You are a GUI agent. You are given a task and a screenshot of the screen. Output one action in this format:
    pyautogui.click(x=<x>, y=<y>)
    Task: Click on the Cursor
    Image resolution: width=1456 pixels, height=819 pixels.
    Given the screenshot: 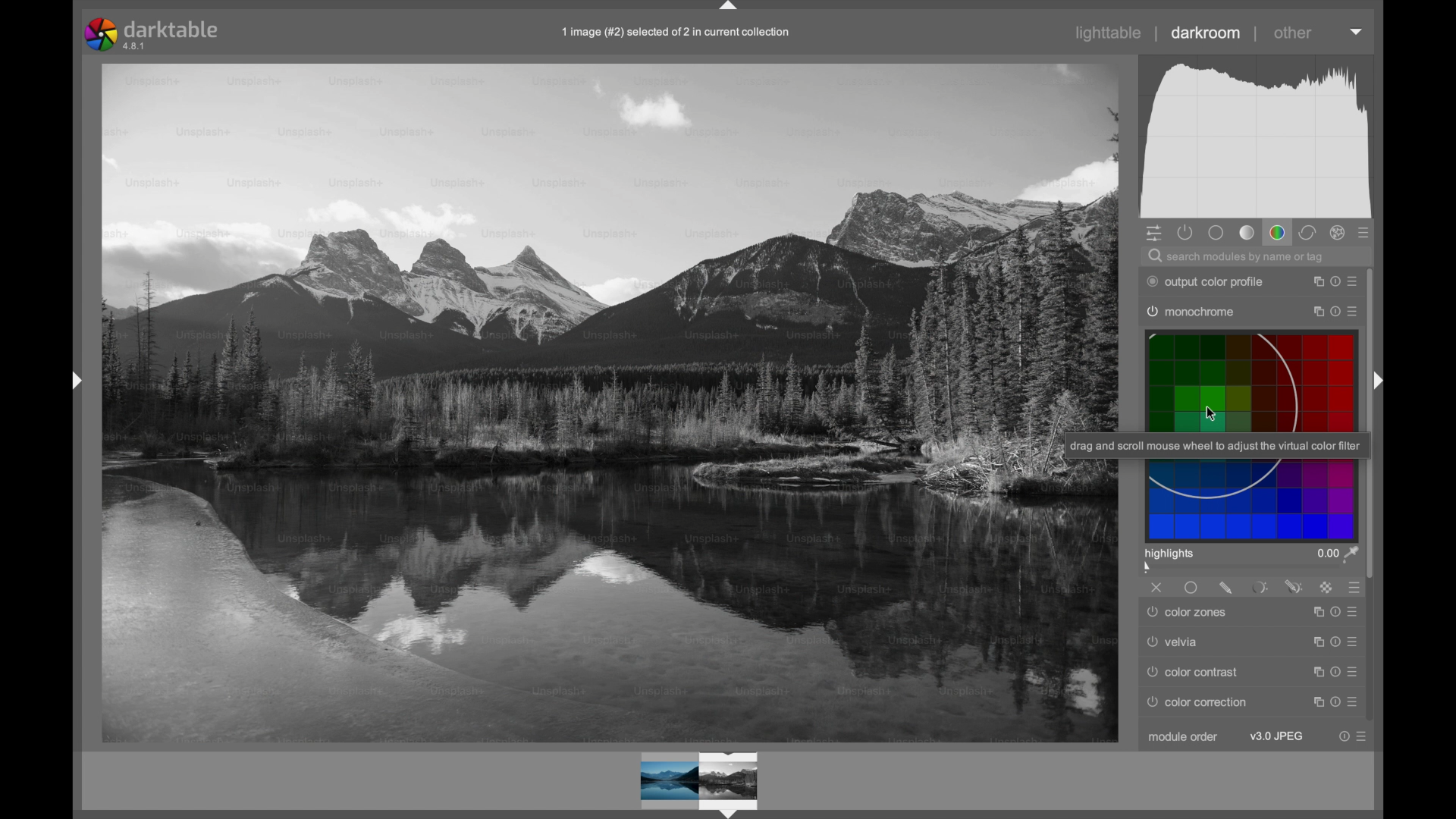 What is the action you would take?
    pyautogui.click(x=1214, y=416)
    